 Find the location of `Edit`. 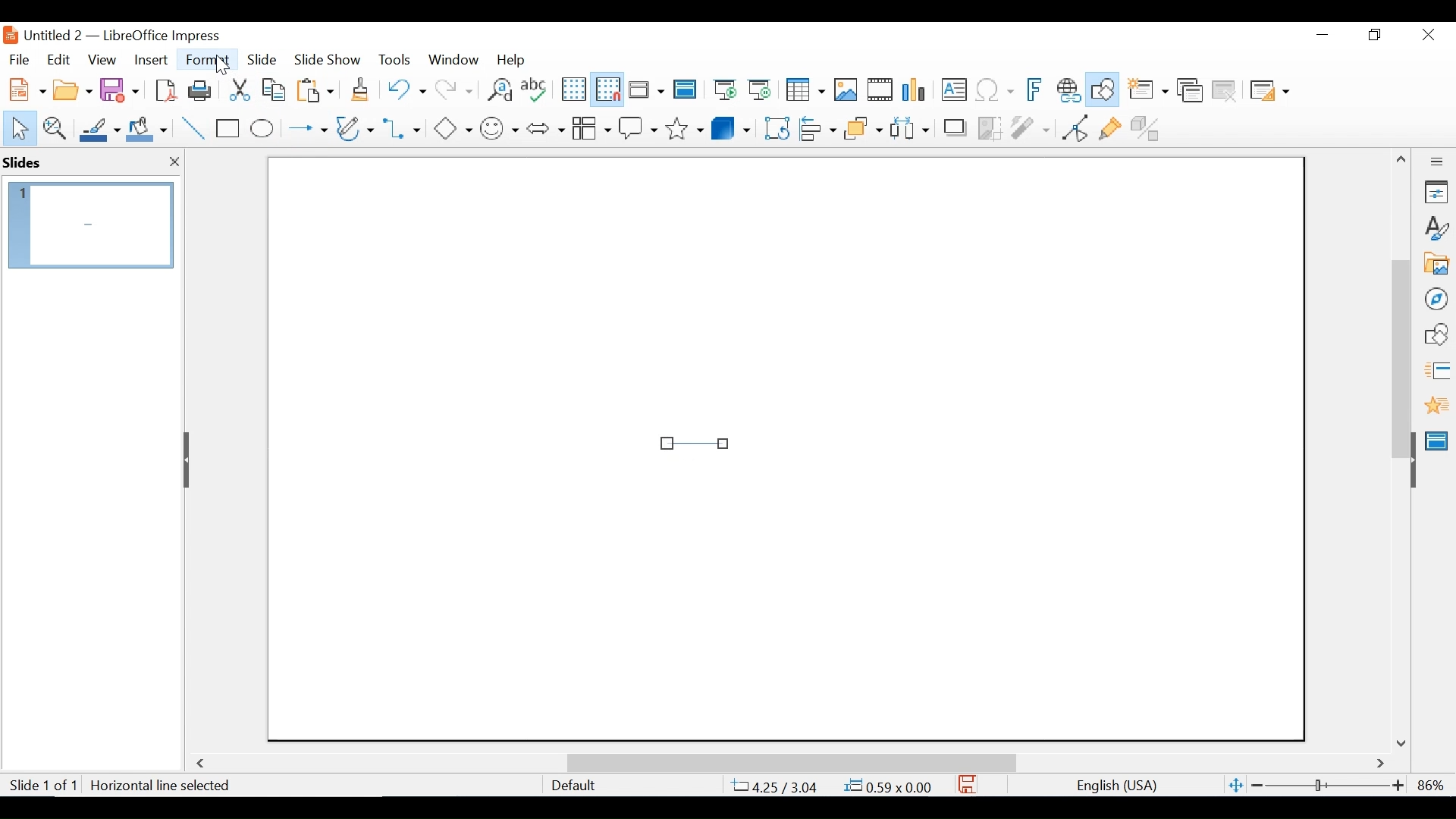

Edit is located at coordinates (57, 60).